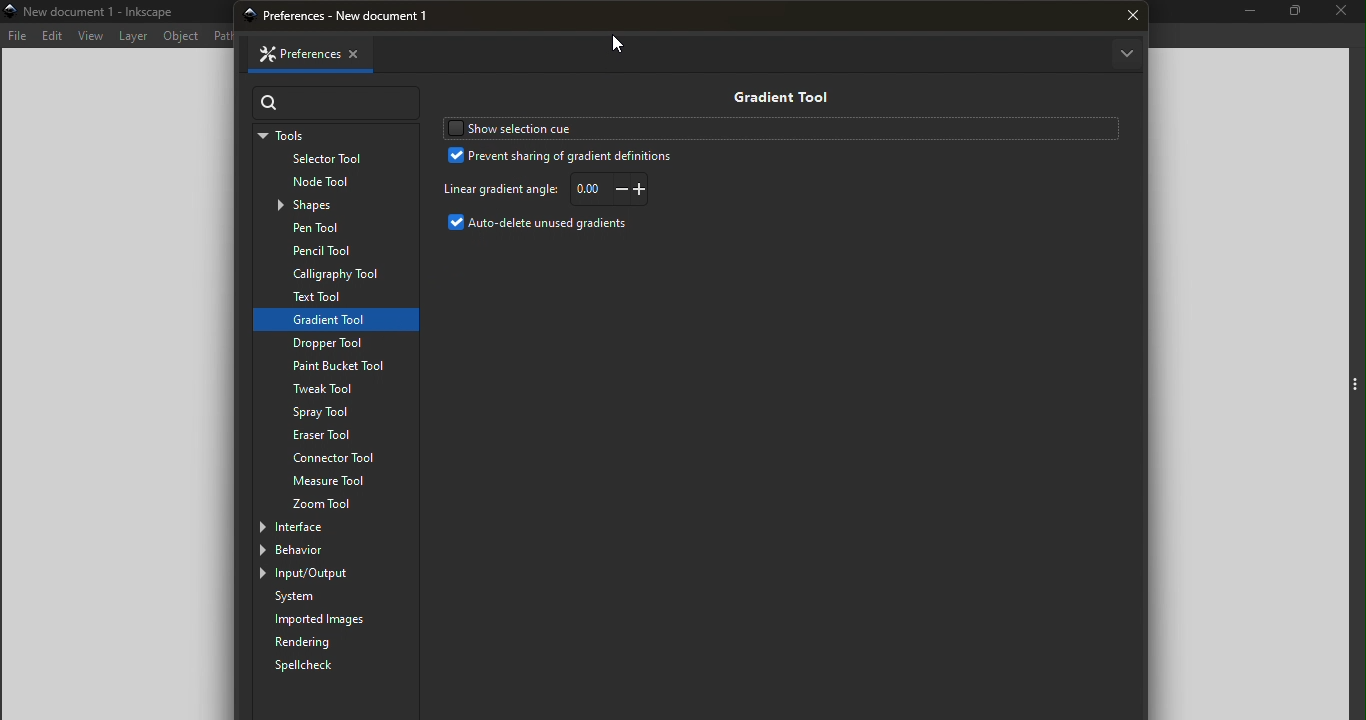 The image size is (1366, 720). I want to click on Search bar, so click(338, 103).